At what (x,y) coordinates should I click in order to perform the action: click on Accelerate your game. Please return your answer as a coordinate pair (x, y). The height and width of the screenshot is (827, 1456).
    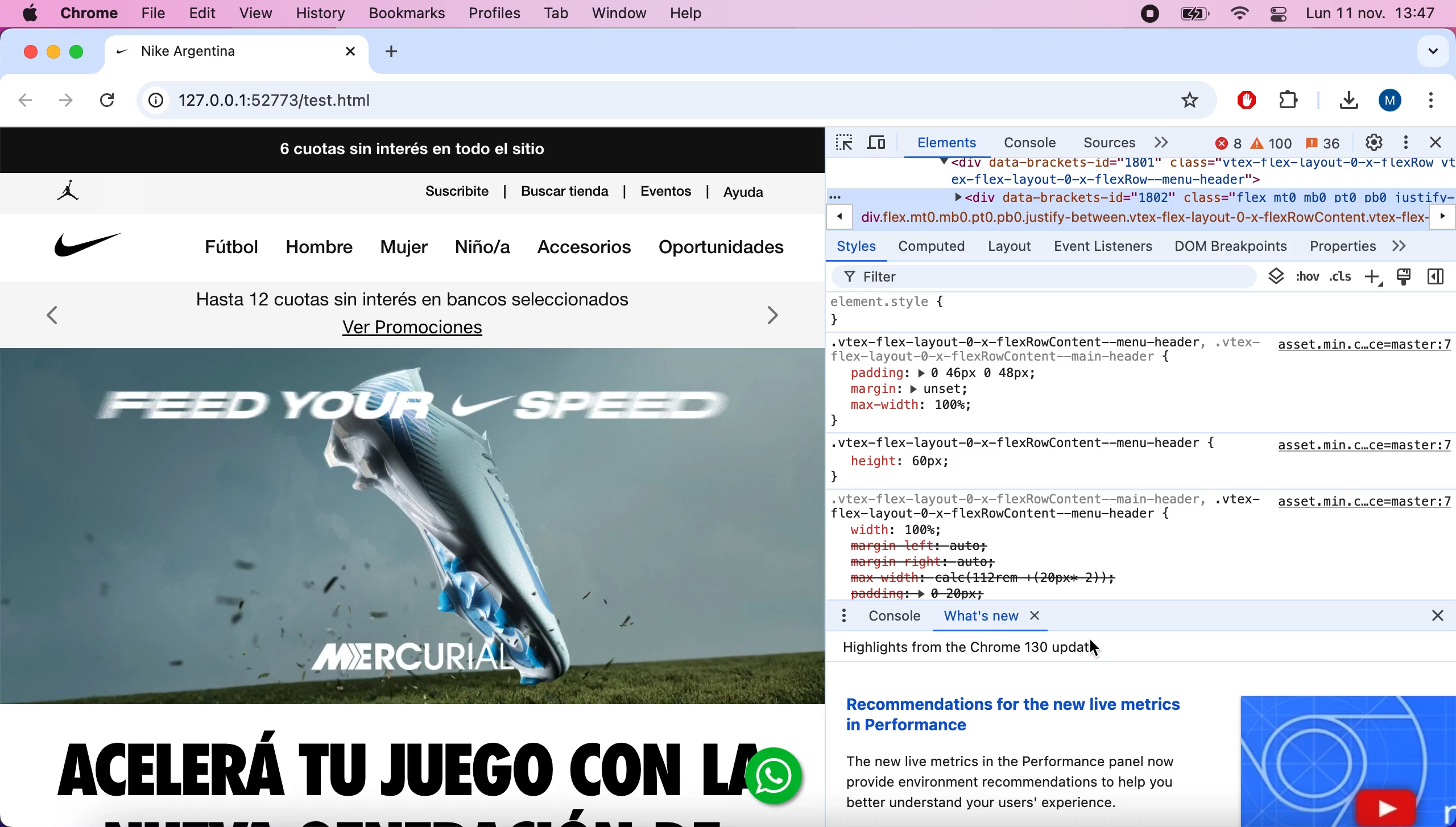
    Looking at the image, I should click on (389, 766).